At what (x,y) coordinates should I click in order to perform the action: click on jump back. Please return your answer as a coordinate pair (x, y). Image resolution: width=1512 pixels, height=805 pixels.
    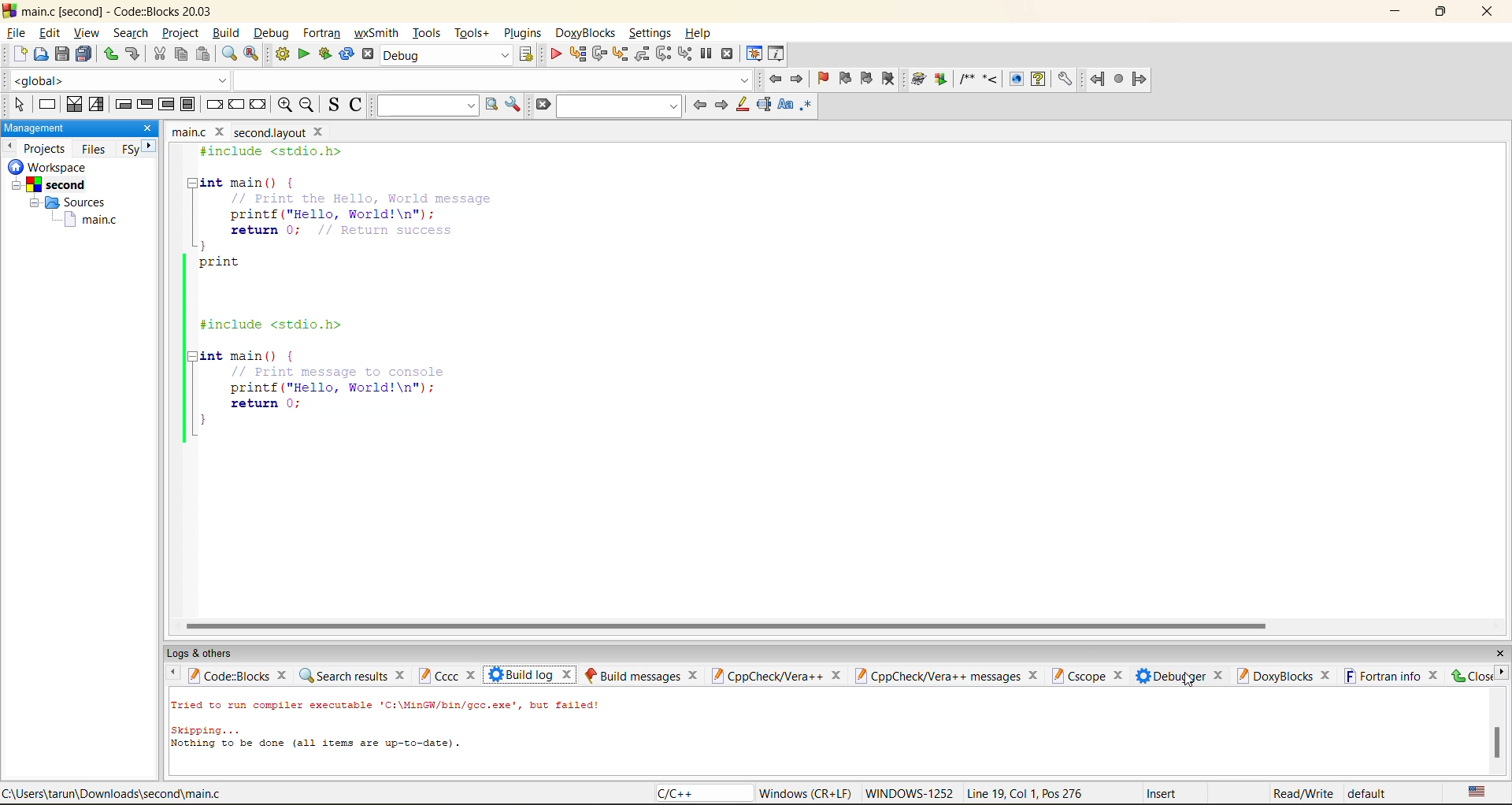
    Looking at the image, I should click on (777, 80).